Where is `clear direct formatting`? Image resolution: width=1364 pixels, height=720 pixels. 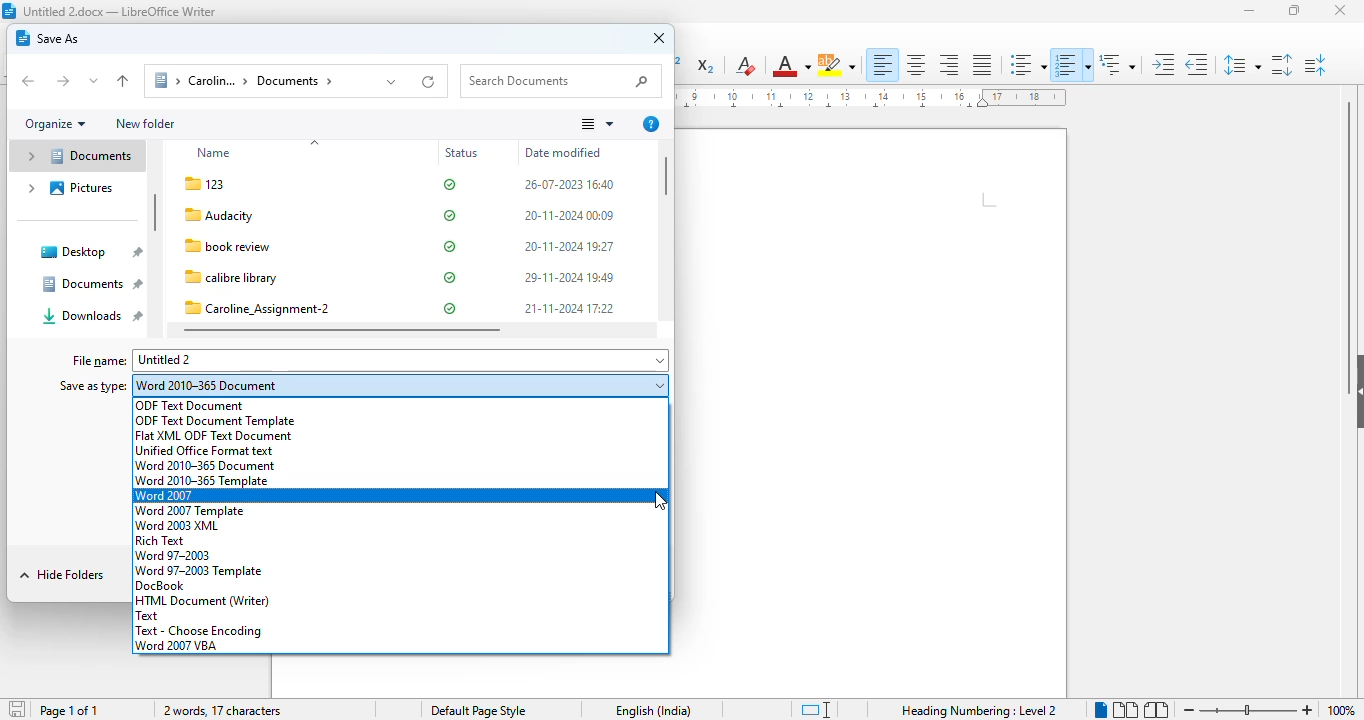 clear direct formatting is located at coordinates (745, 66).